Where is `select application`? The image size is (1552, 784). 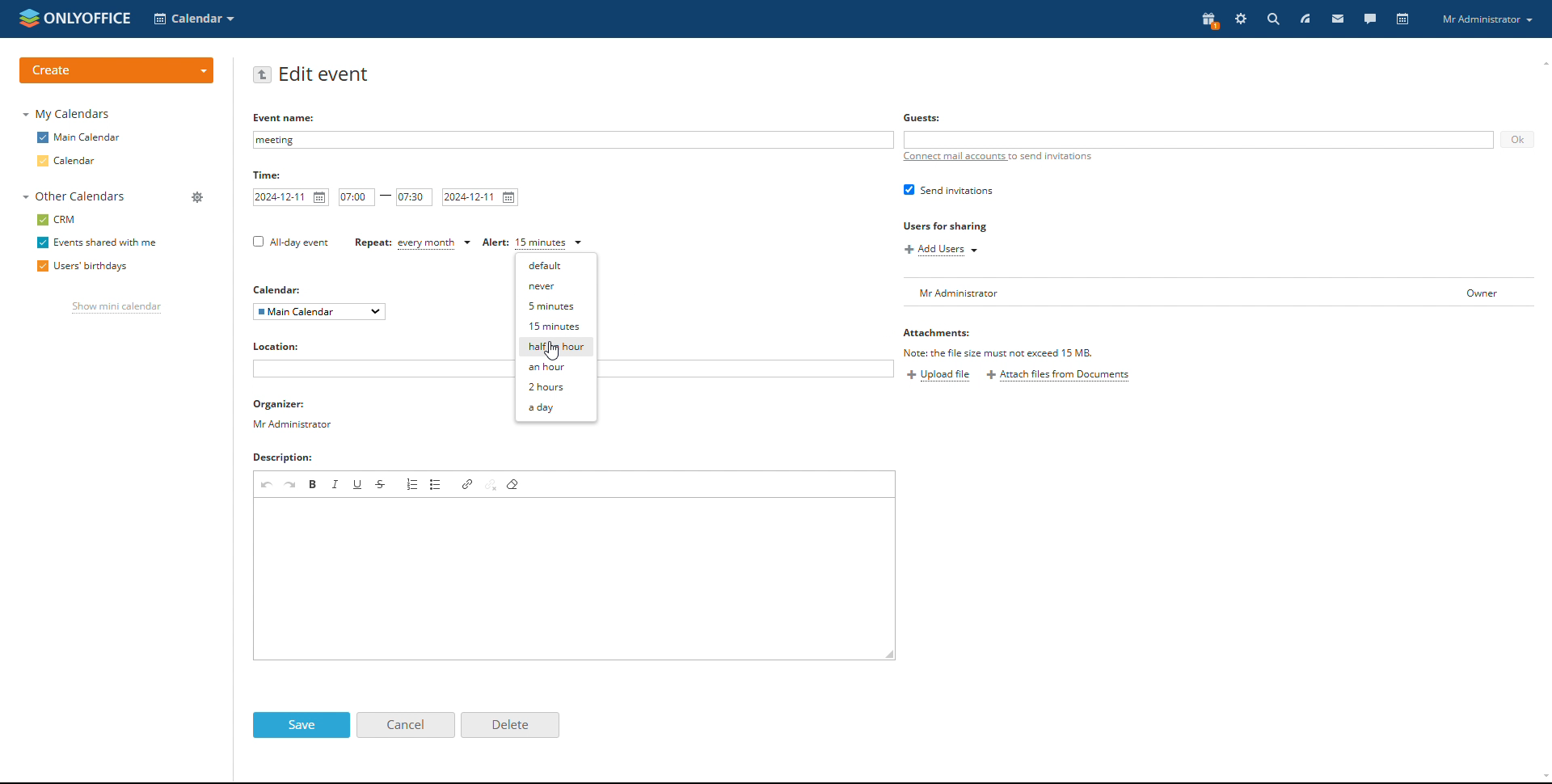
select application is located at coordinates (195, 19).